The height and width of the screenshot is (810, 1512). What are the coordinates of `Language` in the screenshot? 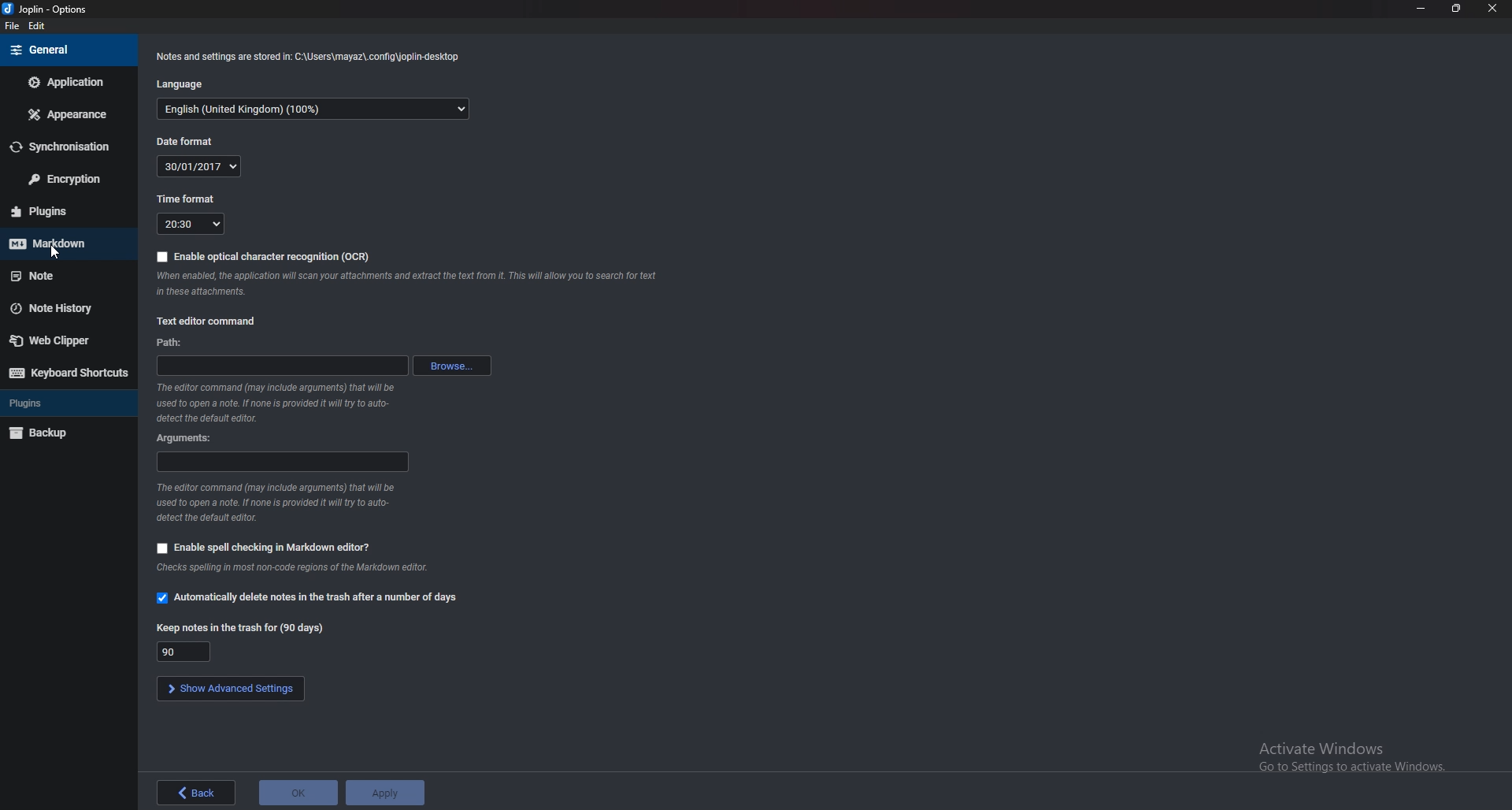 It's located at (186, 85).